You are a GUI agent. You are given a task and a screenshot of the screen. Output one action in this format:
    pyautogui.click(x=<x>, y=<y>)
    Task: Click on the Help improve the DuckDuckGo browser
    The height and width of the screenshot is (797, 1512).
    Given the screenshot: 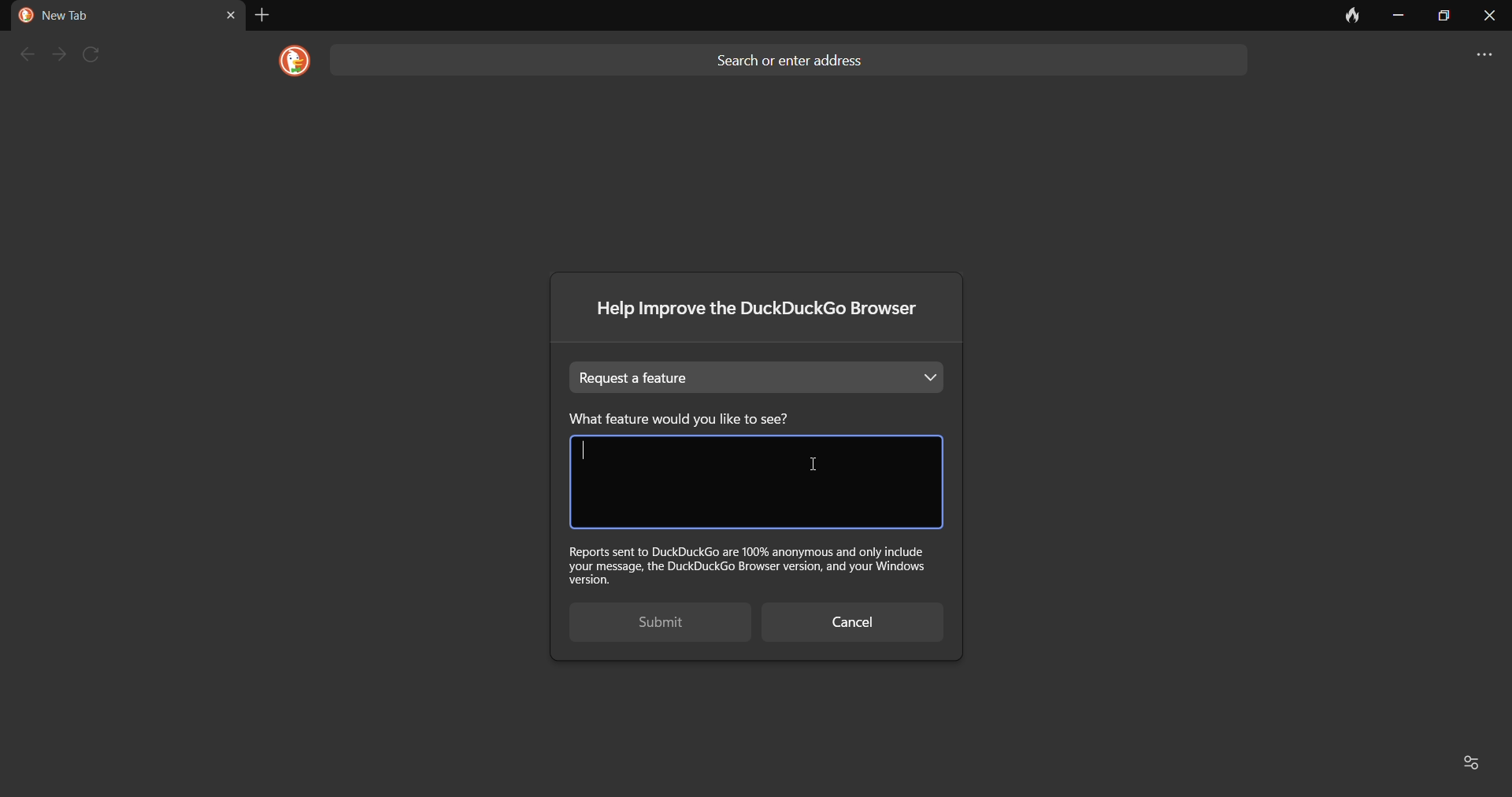 What is the action you would take?
    pyautogui.click(x=762, y=313)
    